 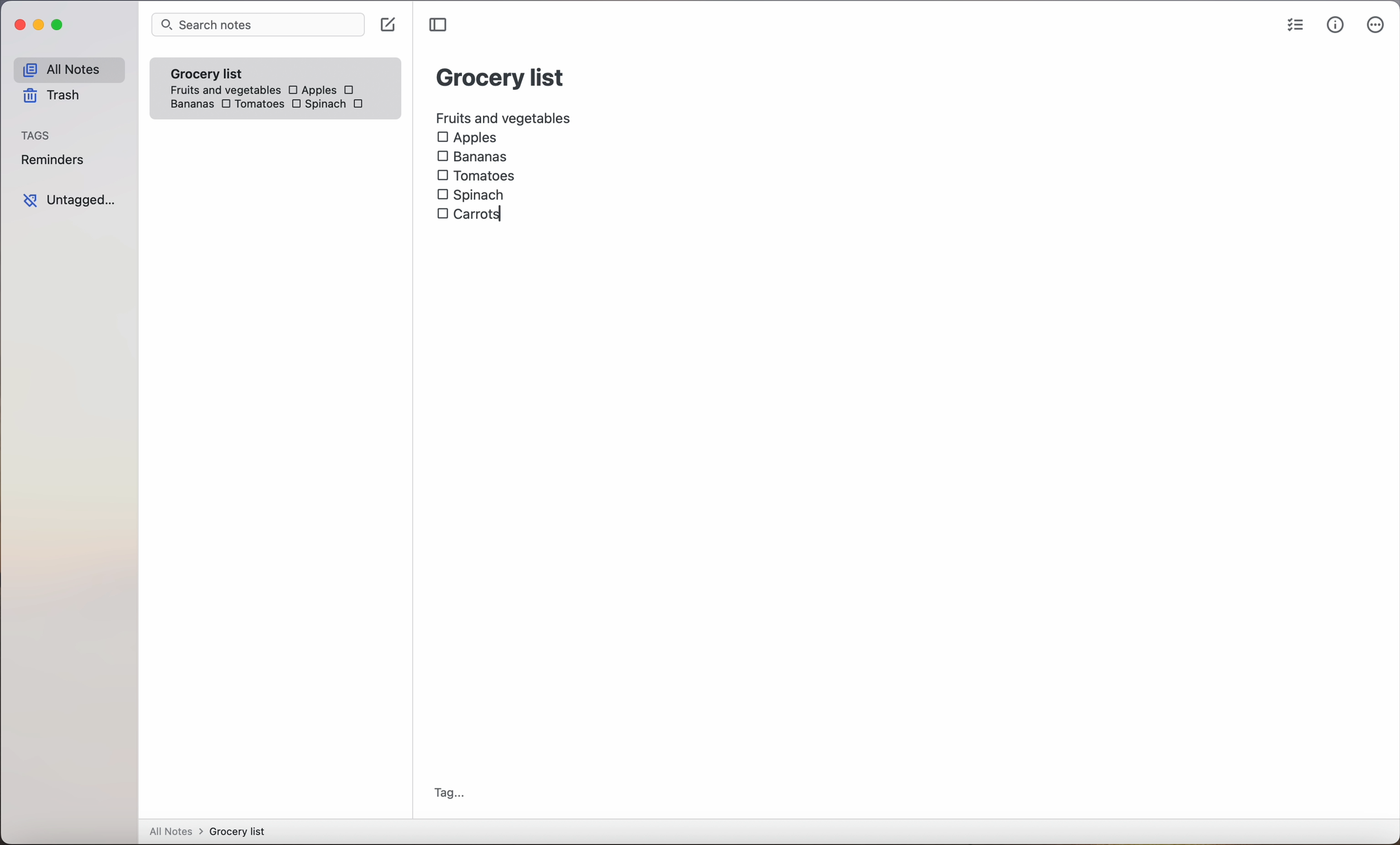 I want to click on more options, so click(x=1376, y=27).